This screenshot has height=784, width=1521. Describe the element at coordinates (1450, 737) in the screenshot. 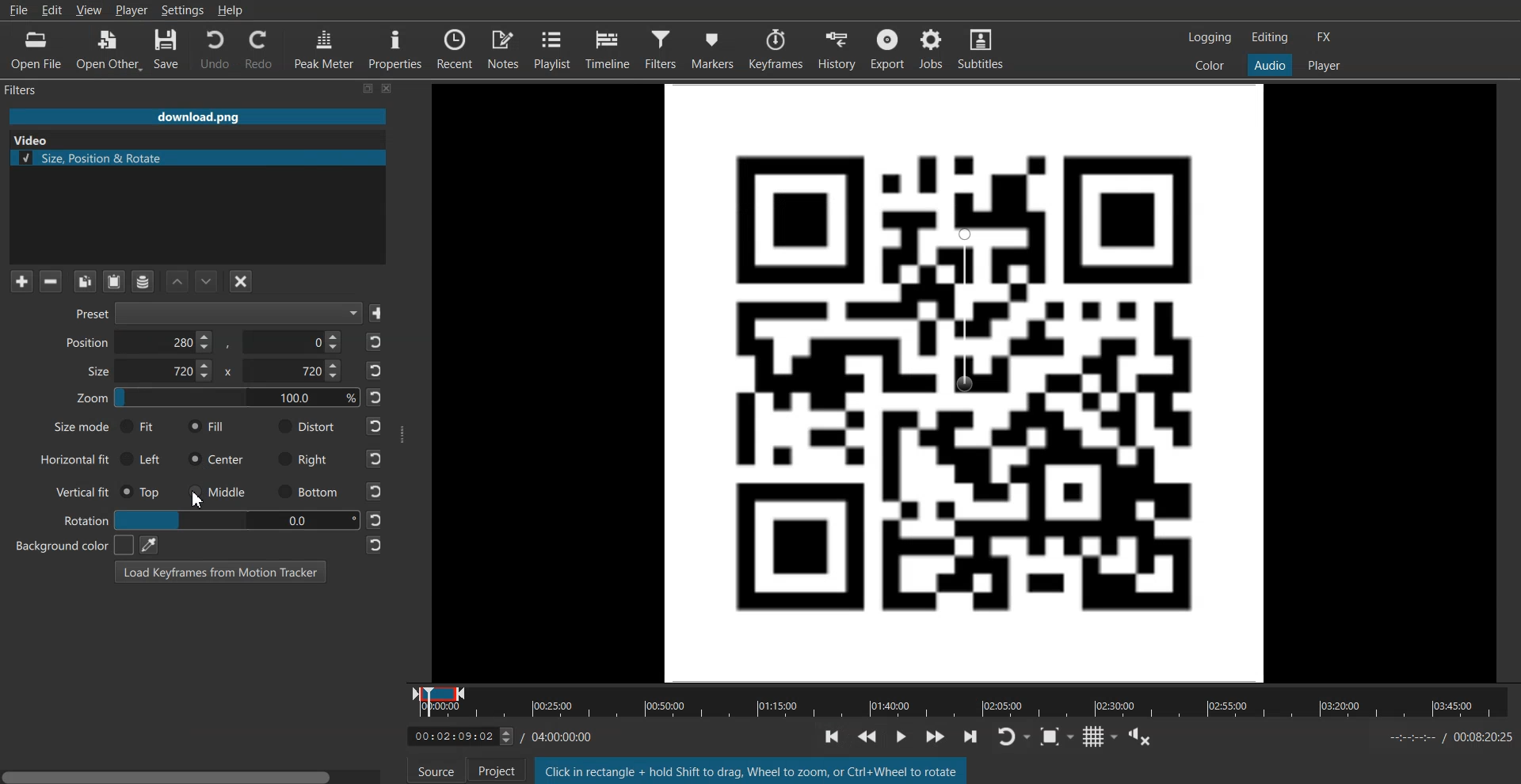

I see `Time Sheet` at that location.